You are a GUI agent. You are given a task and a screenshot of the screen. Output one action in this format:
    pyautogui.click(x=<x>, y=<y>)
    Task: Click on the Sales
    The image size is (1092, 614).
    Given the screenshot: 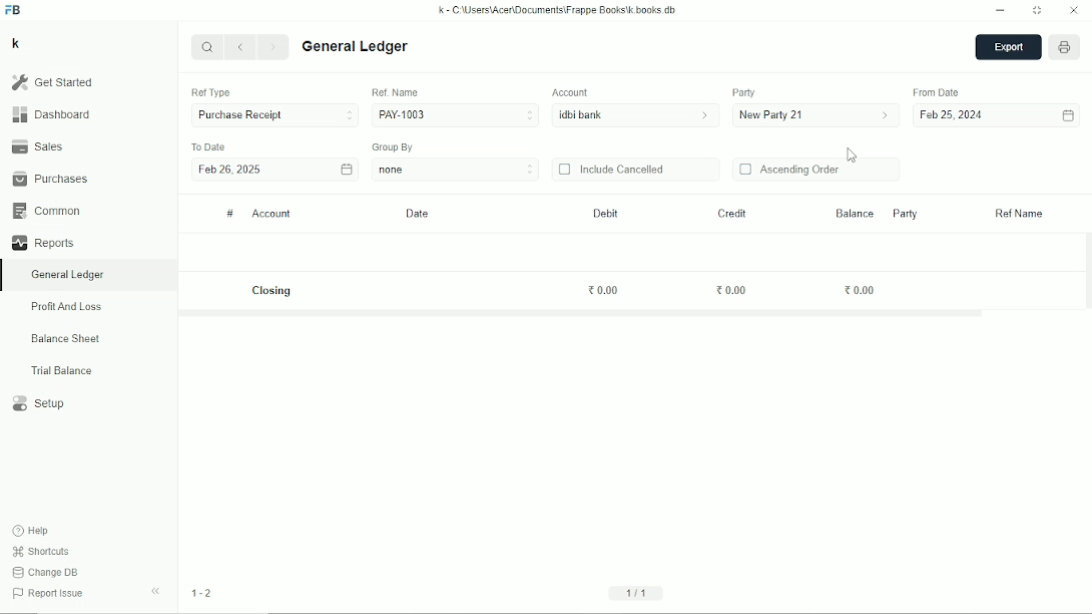 What is the action you would take?
    pyautogui.click(x=37, y=145)
    